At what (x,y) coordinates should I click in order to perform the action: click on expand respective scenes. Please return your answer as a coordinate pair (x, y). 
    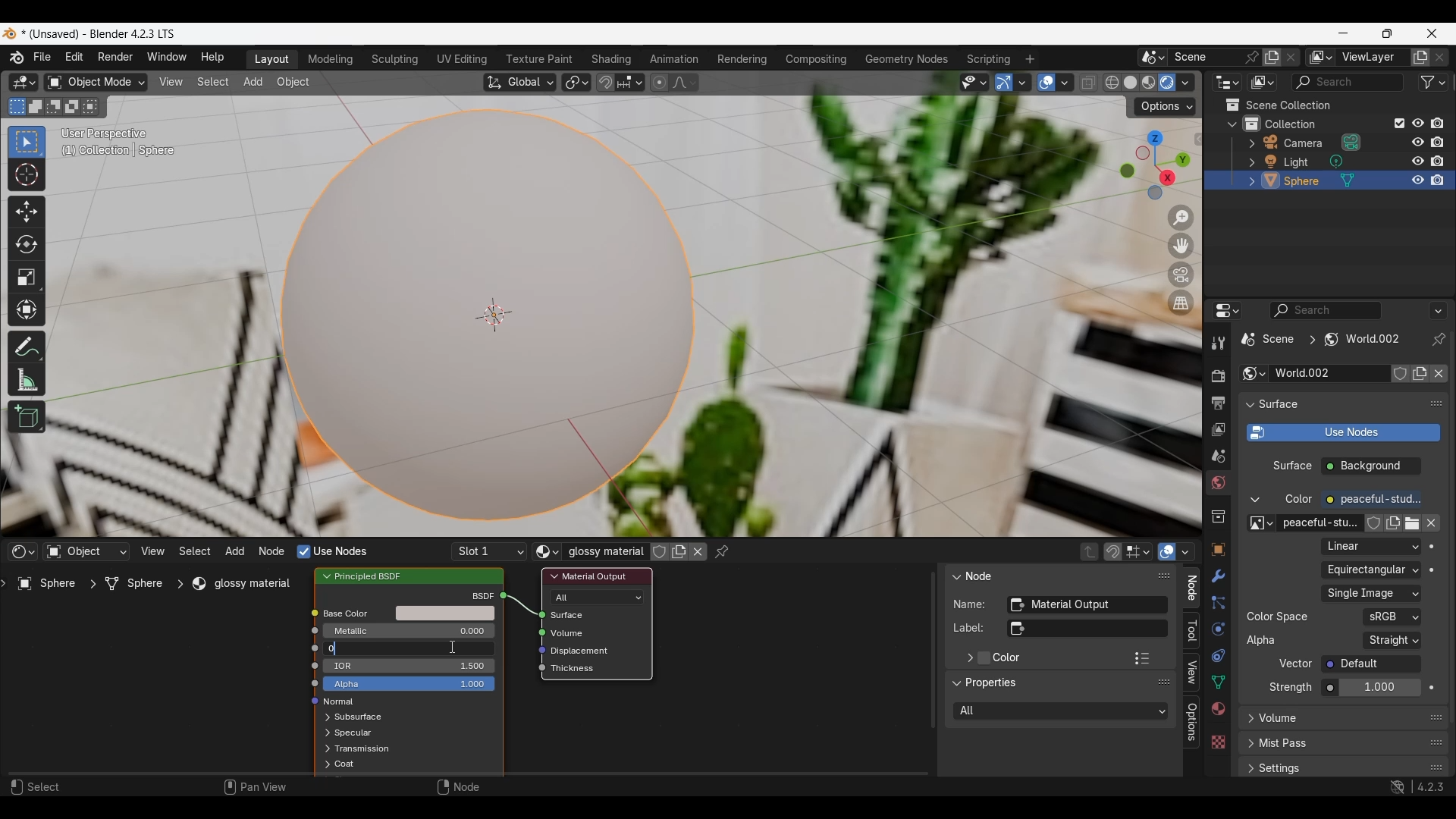
    Looking at the image, I should click on (1247, 162).